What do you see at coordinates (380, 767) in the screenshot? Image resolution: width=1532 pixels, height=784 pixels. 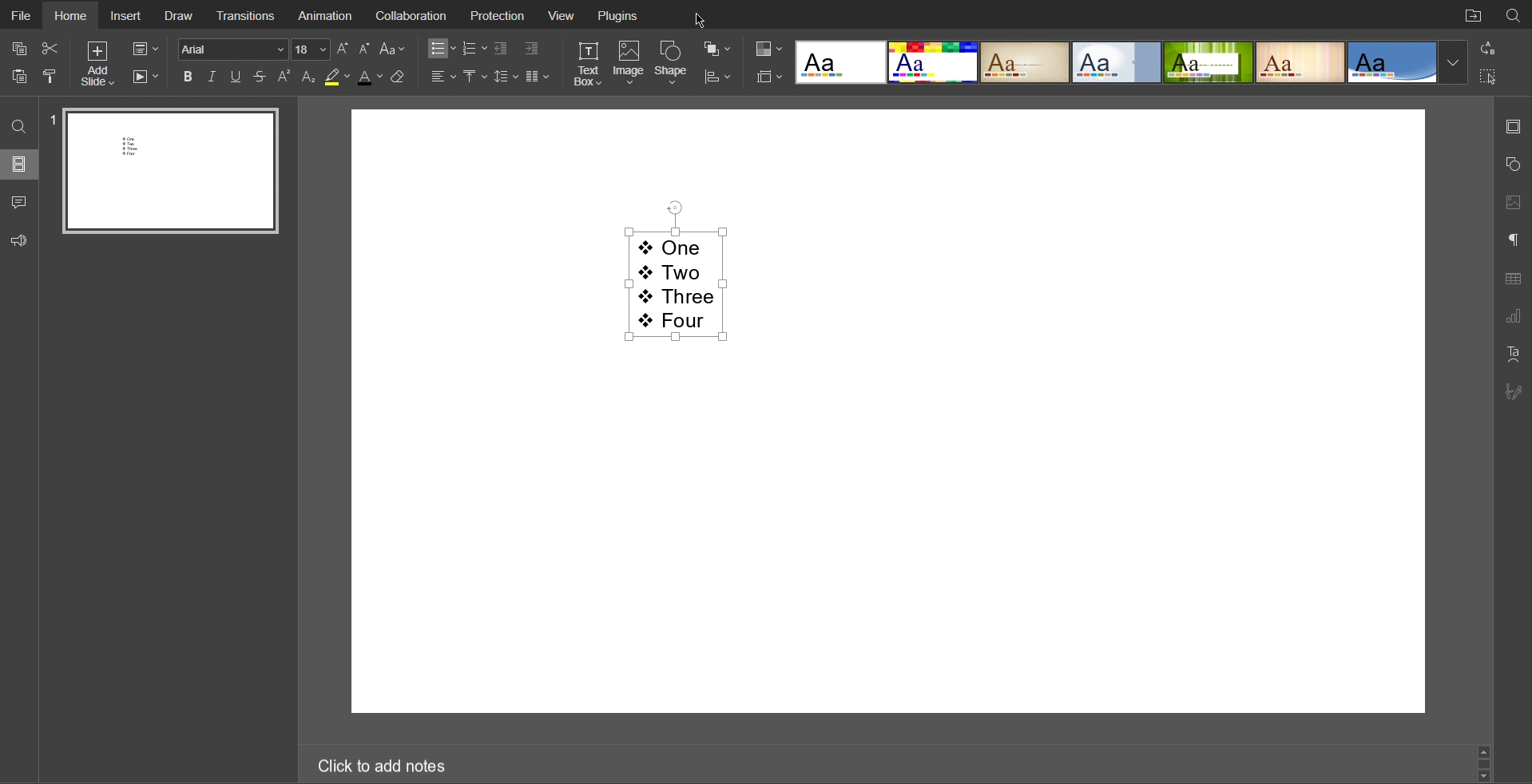 I see `Click to add notes` at bounding box center [380, 767].